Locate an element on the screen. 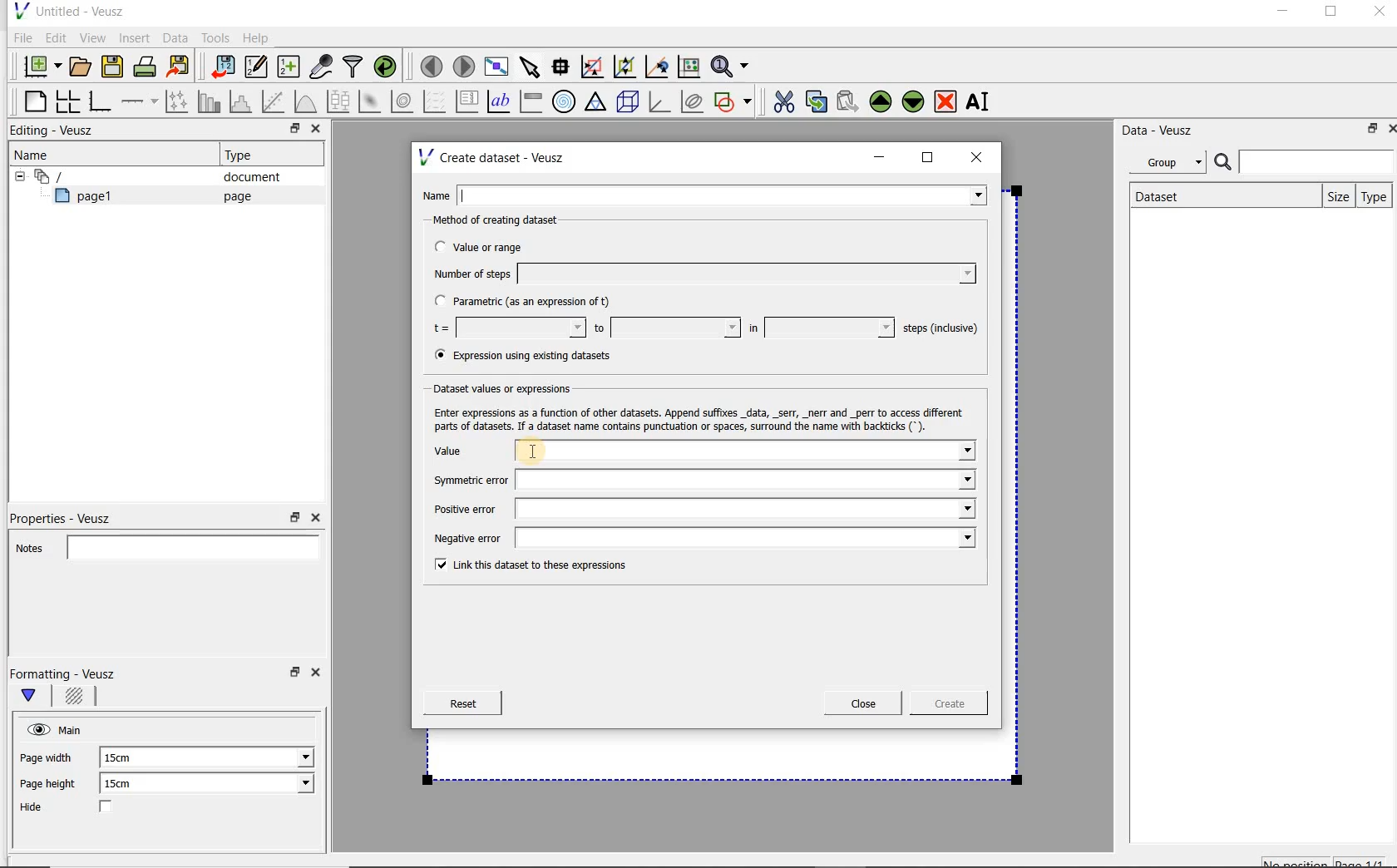 This screenshot has width=1397, height=868. restore down is located at coordinates (295, 518).